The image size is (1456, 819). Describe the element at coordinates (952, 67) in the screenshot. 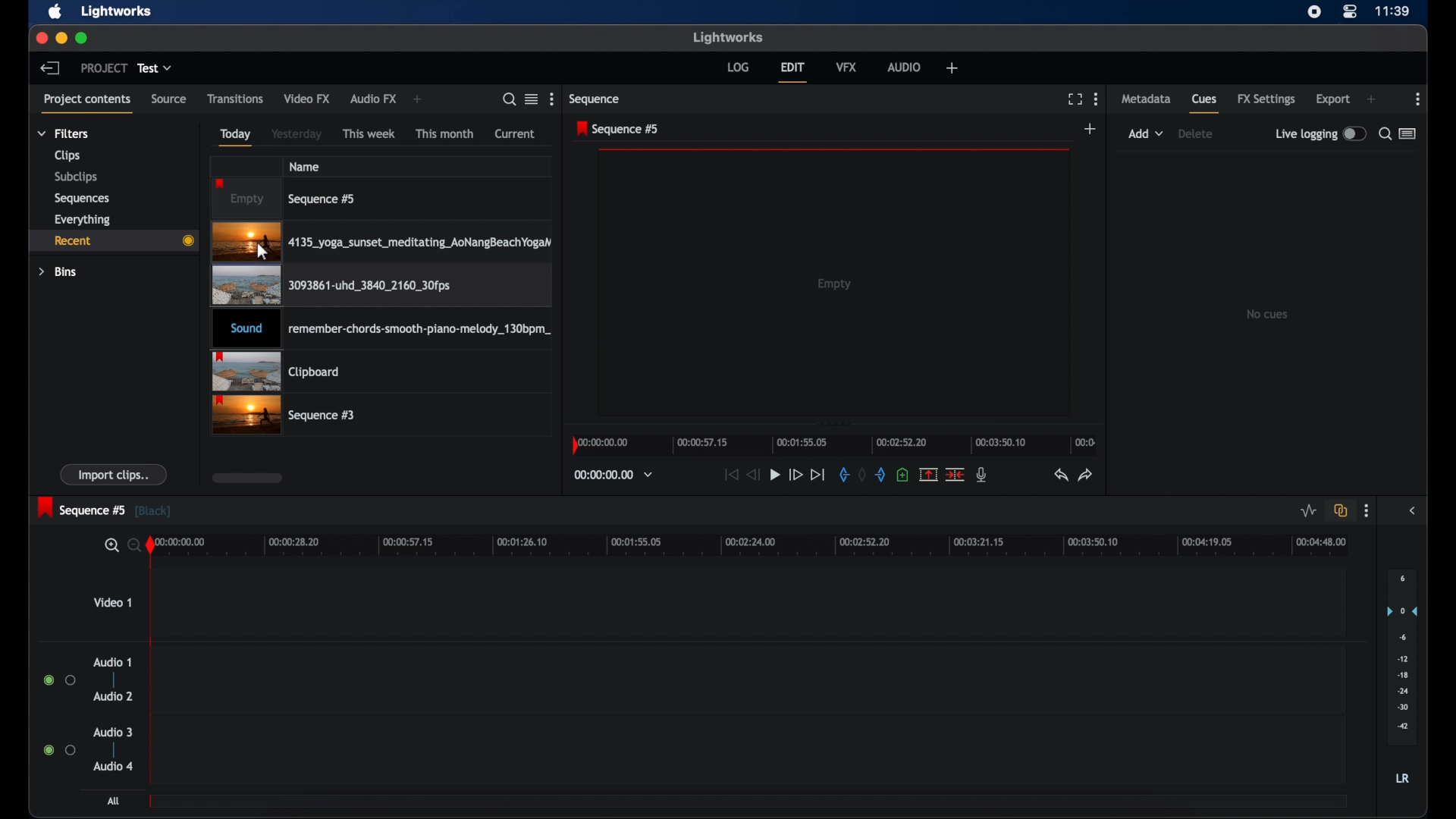

I see `add` at that location.